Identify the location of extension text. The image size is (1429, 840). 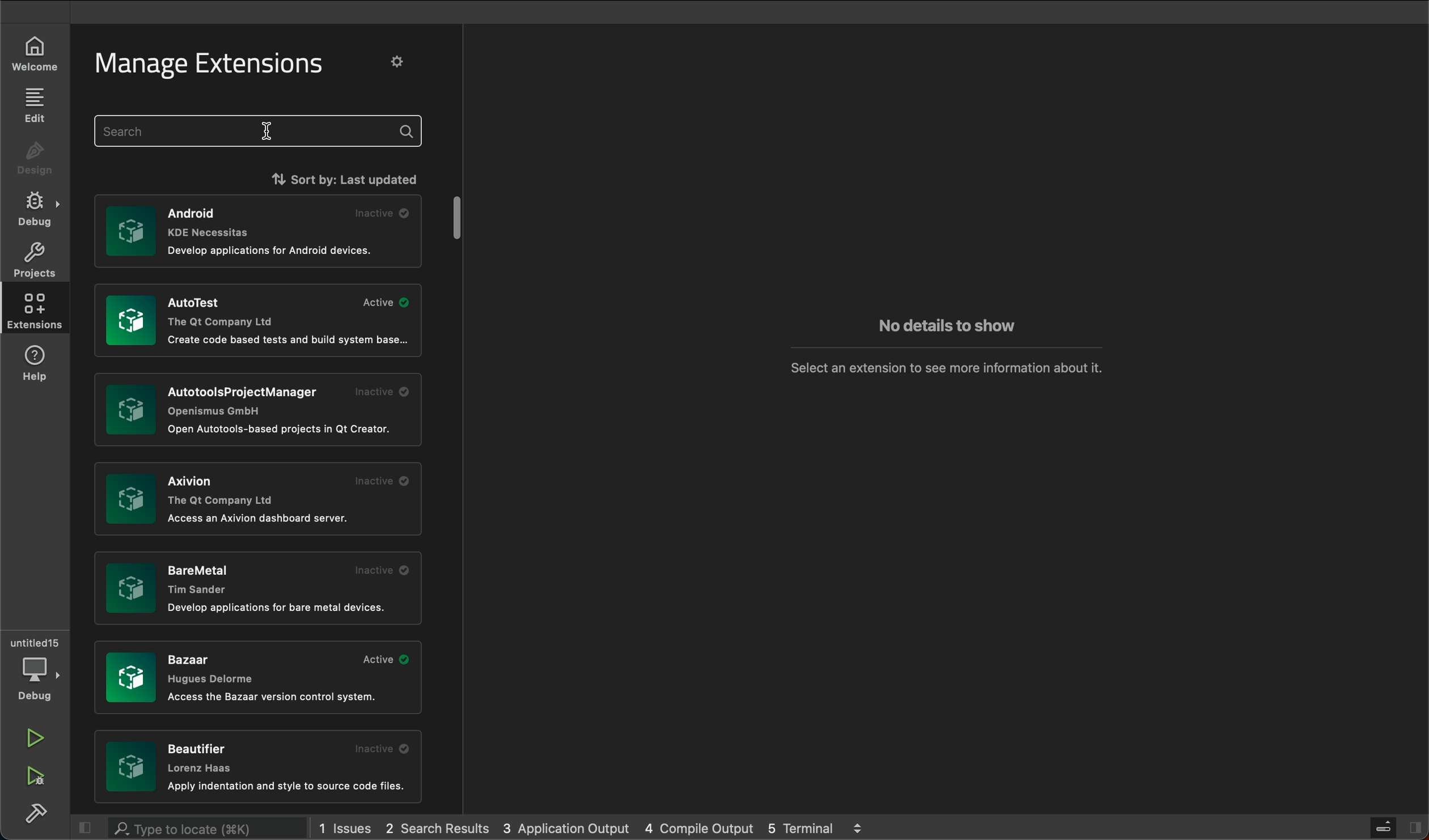
(252, 400).